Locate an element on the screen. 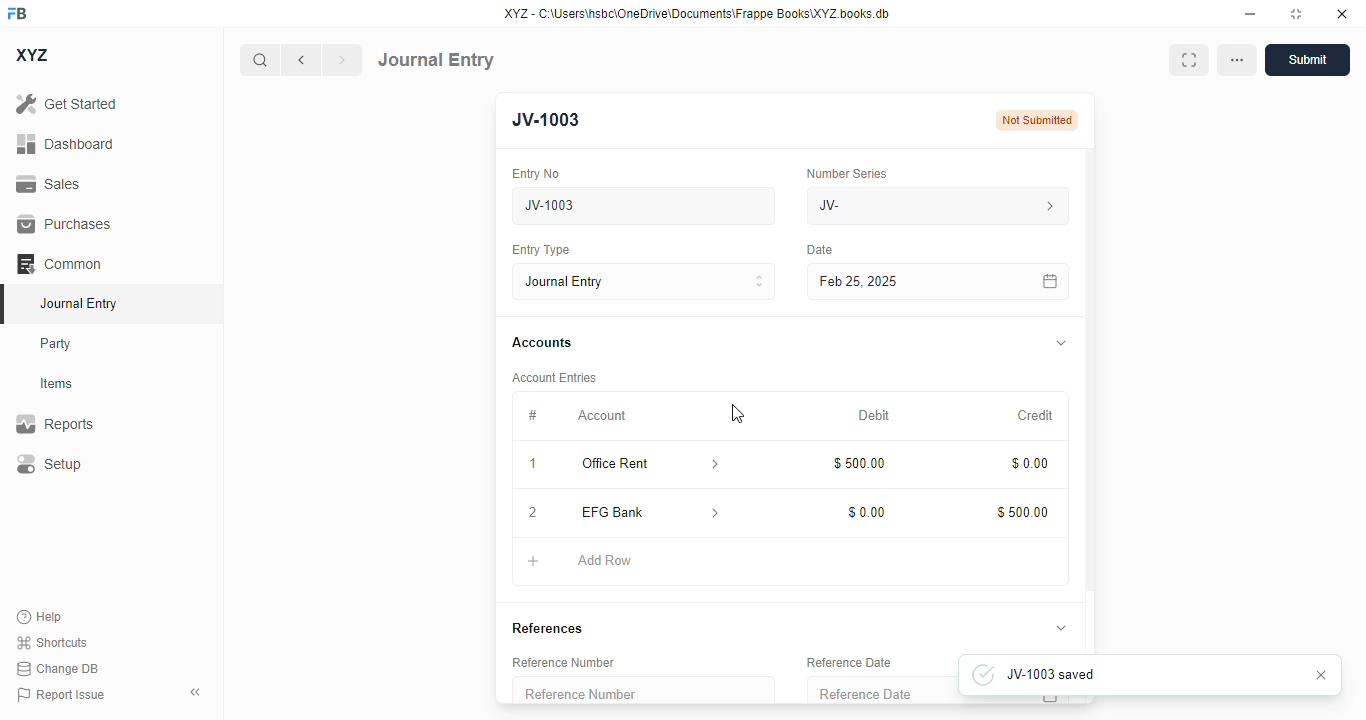 The height and width of the screenshot is (720, 1366). dashboard is located at coordinates (66, 144).